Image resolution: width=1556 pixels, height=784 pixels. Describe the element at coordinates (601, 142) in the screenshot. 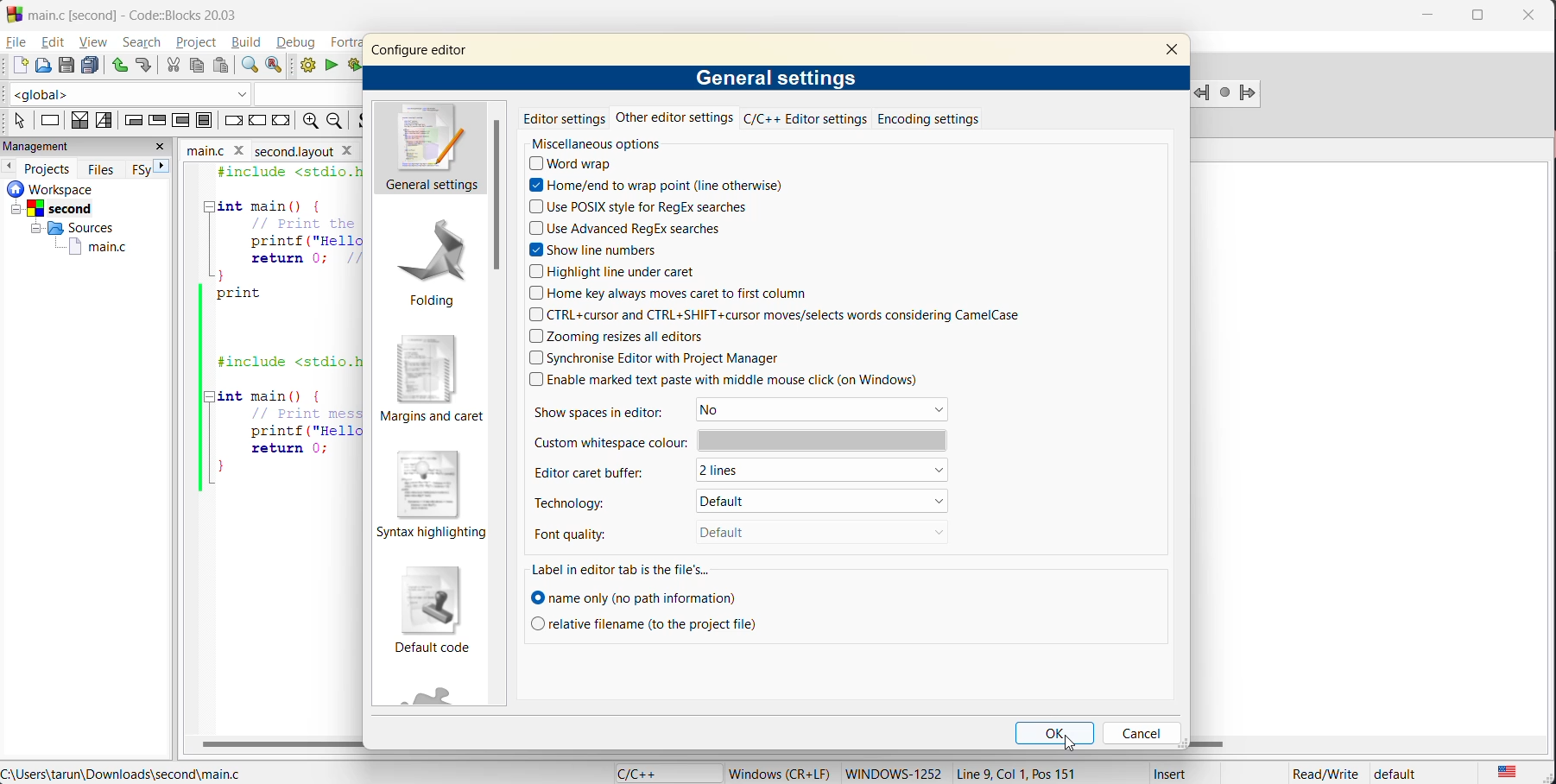

I see `miscellaneous options` at that location.